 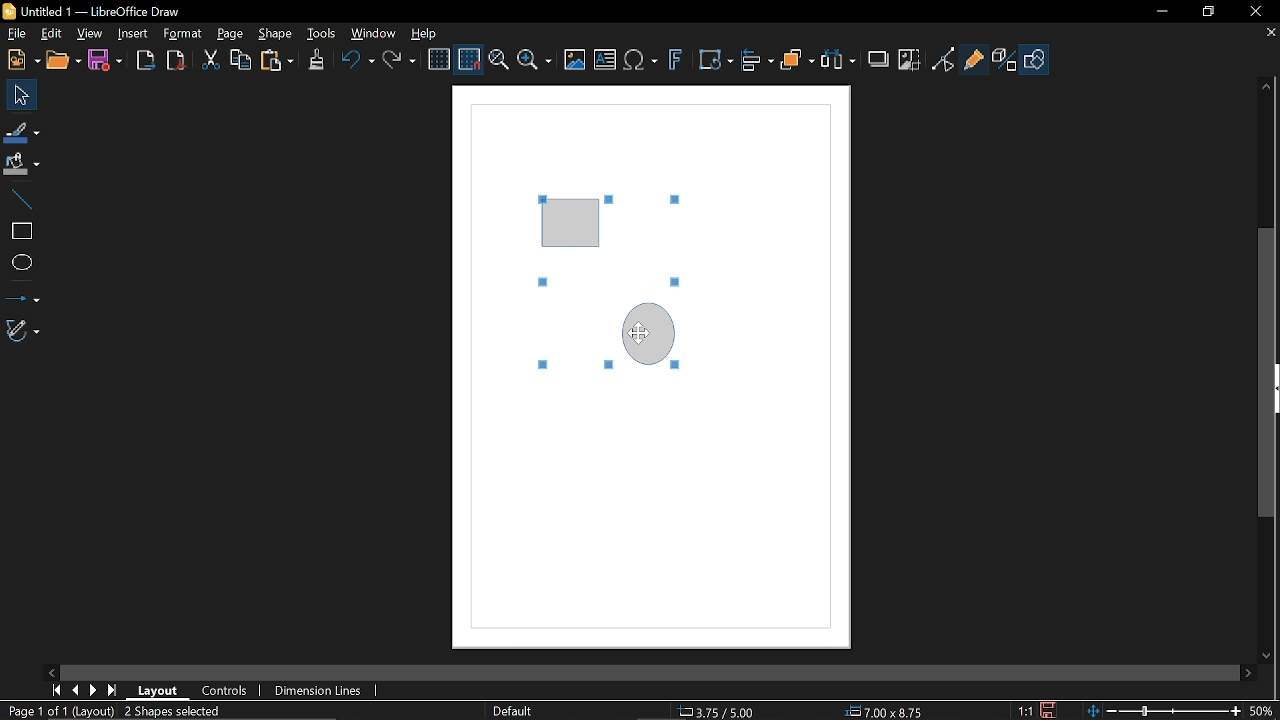 I want to click on Close, so click(x=1258, y=11).